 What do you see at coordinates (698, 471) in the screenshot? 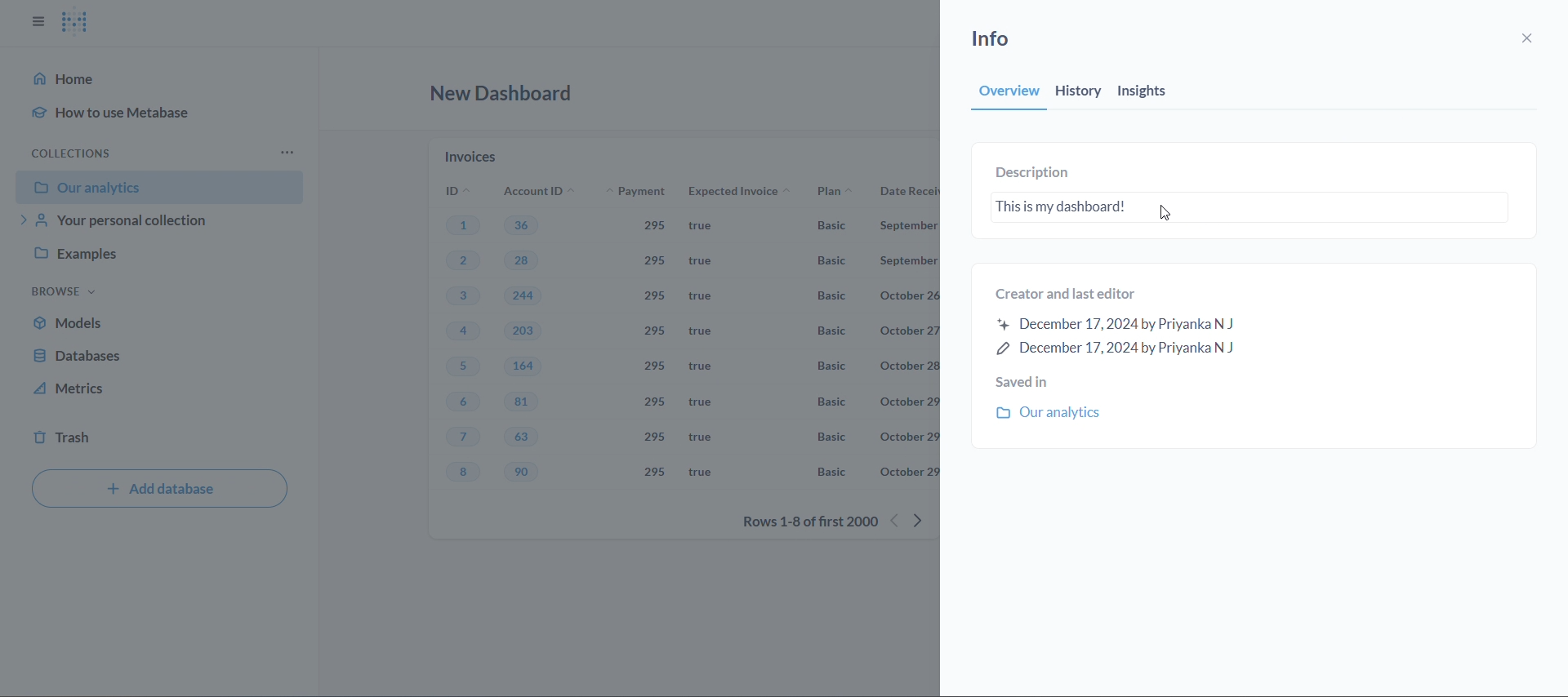
I see `true` at bounding box center [698, 471].